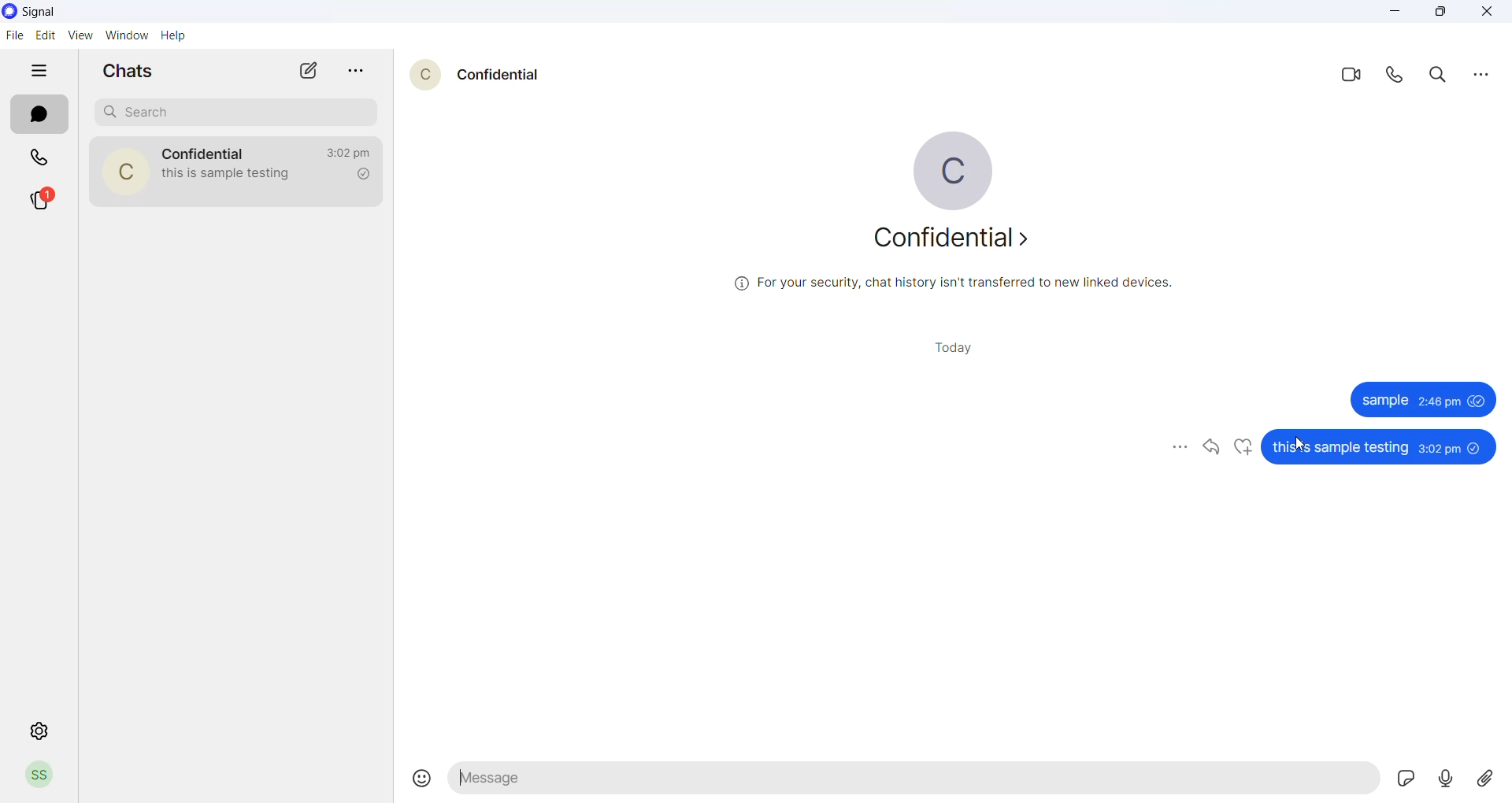 The width and height of the screenshot is (1512, 803). Describe the element at coordinates (124, 72) in the screenshot. I see `chats heading` at that location.